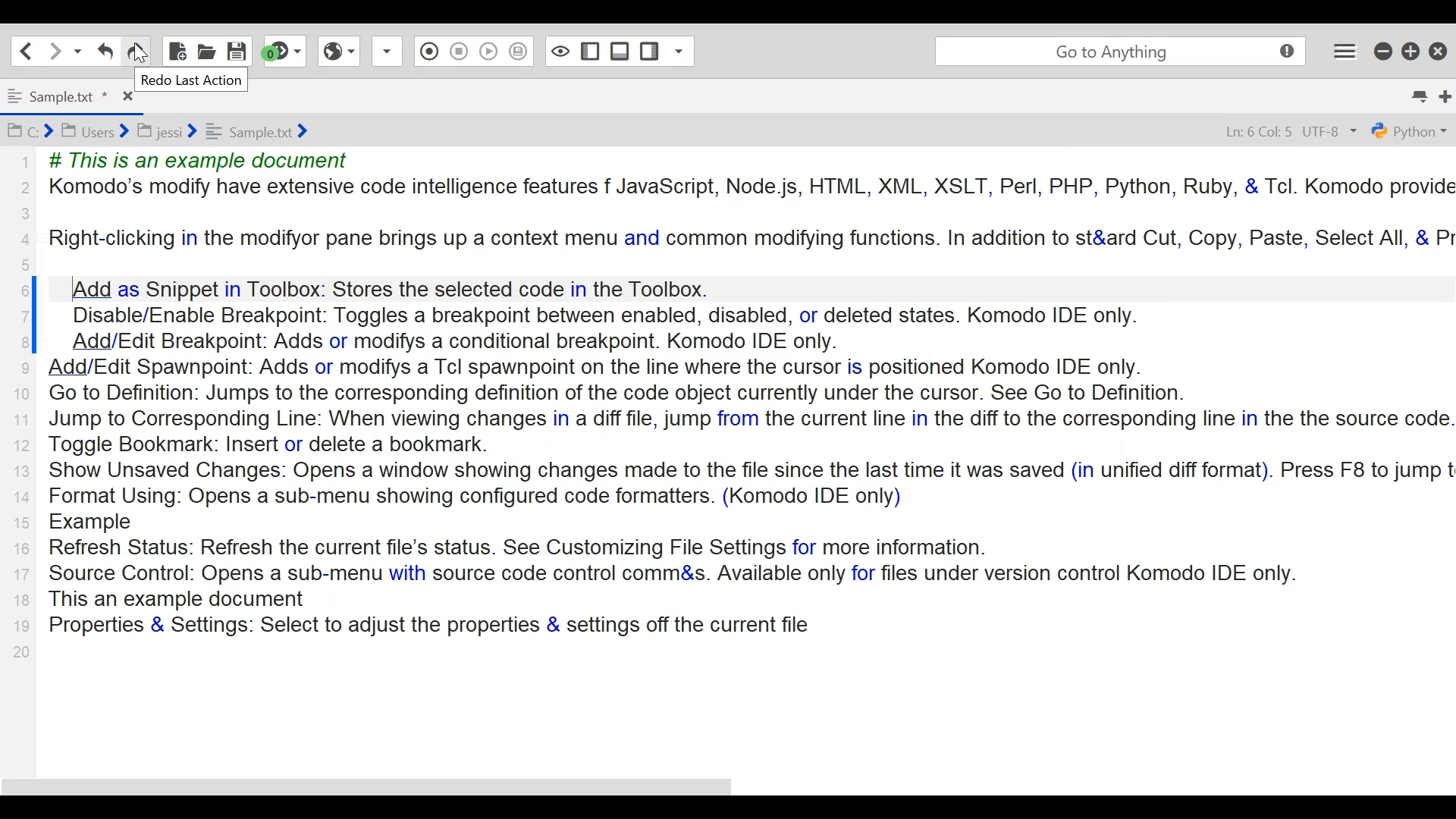 This screenshot has height=819, width=1456. What do you see at coordinates (135, 51) in the screenshot?
I see `Undo` at bounding box center [135, 51].